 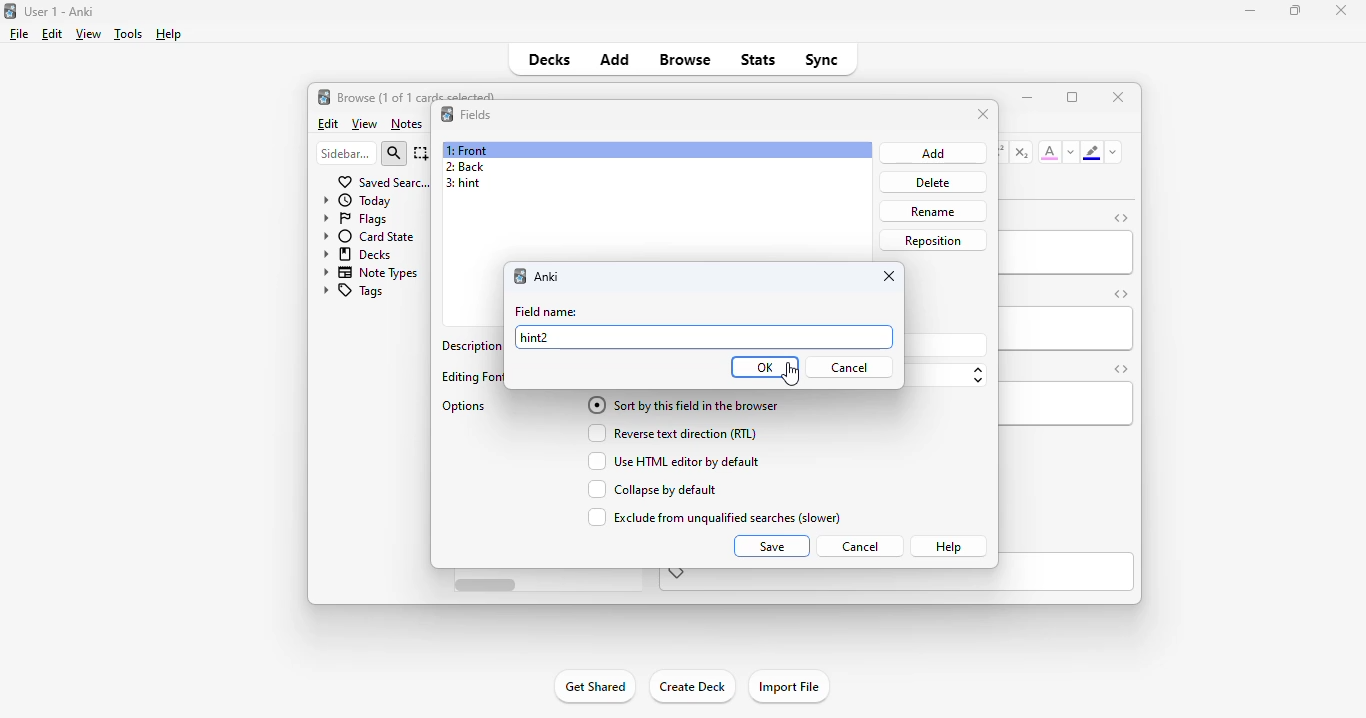 I want to click on cancel, so click(x=859, y=547).